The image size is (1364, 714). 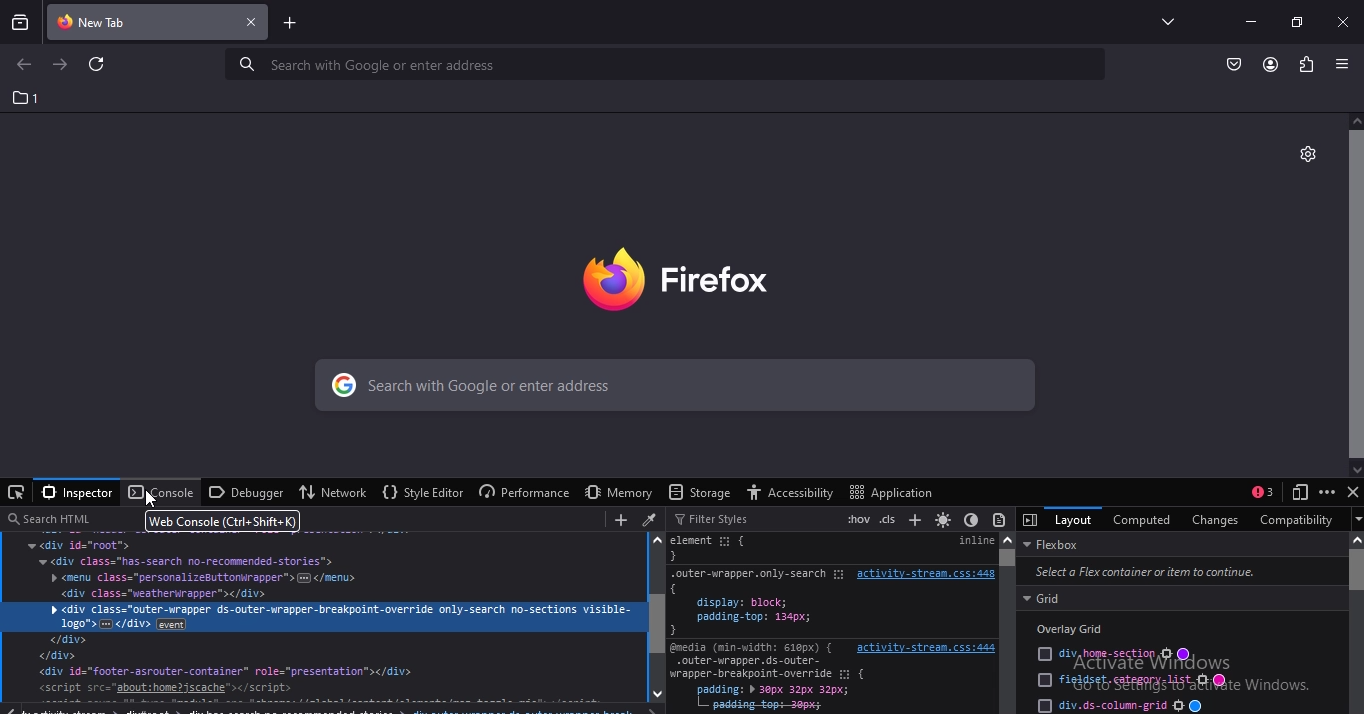 What do you see at coordinates (793, 491) in the screenshot?
I see `accessibilty` at bounding box center [793, 491].